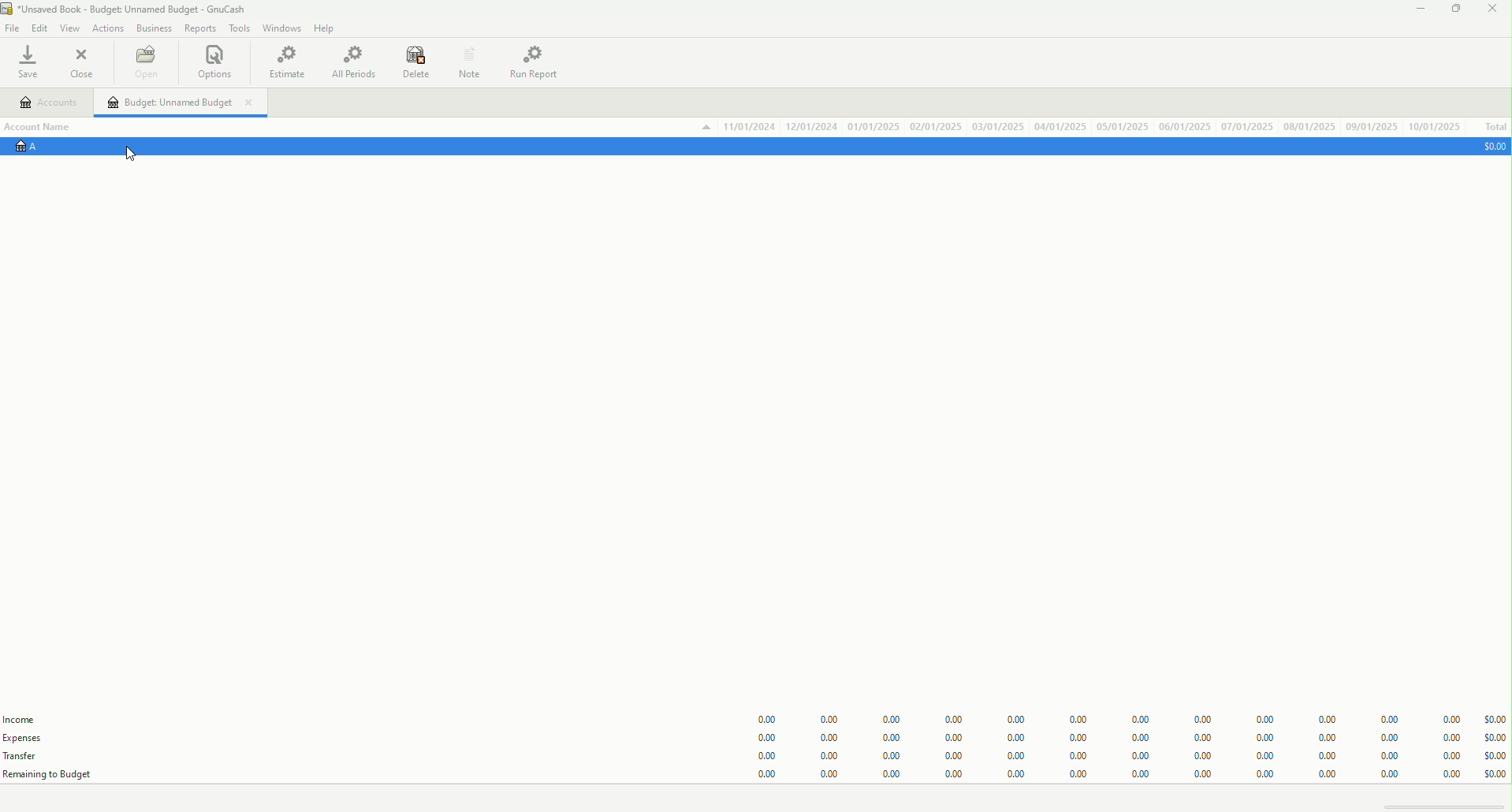 This screenshot has height=812, width=1512. Describe the element at coordinates (469, 61) in the screenshot. I see `Note` at that location.